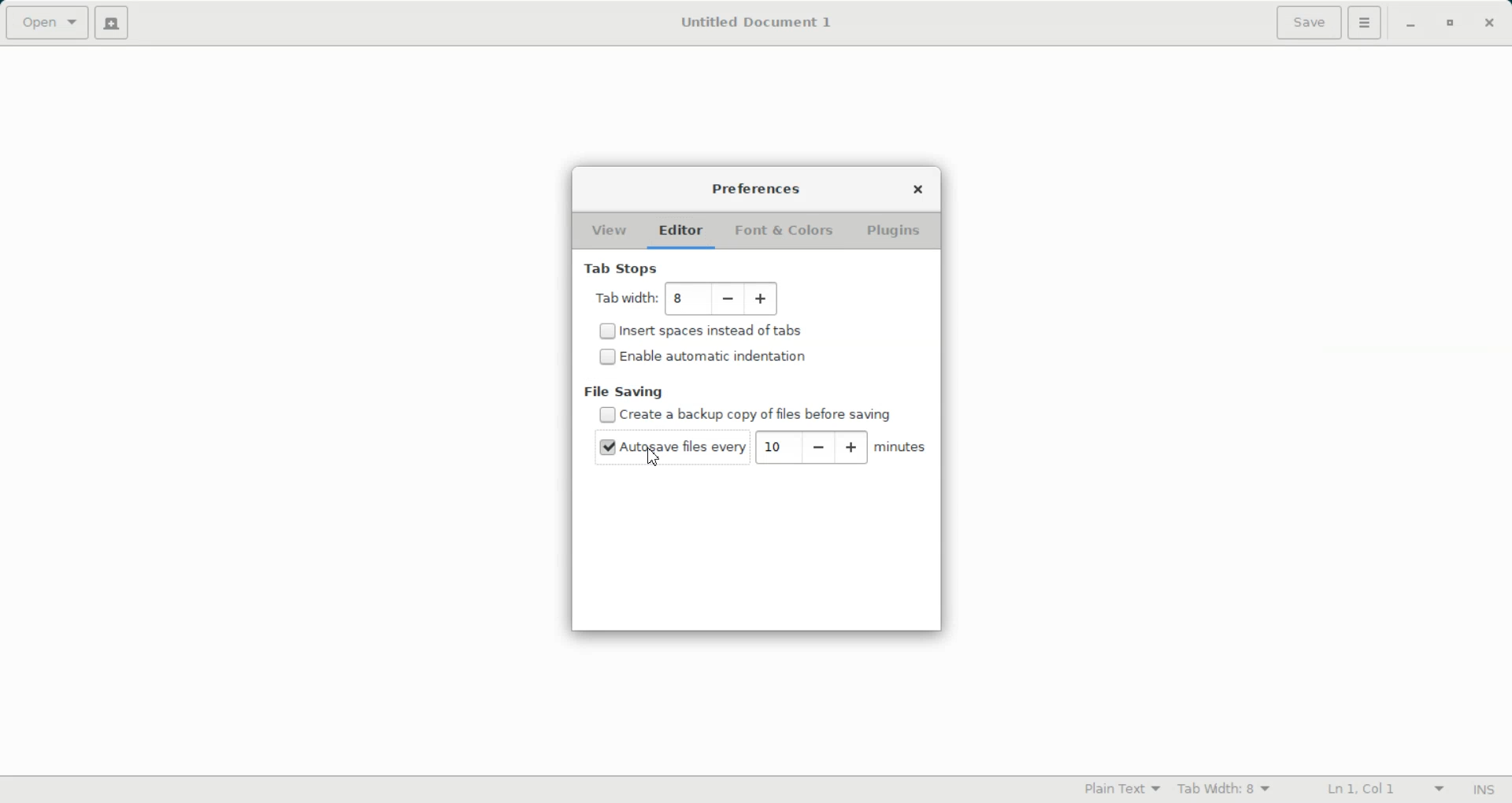  What do you see at coordinates (624, 299) in the screenshot?
I see `tab width` at bounding box center [624, 299].